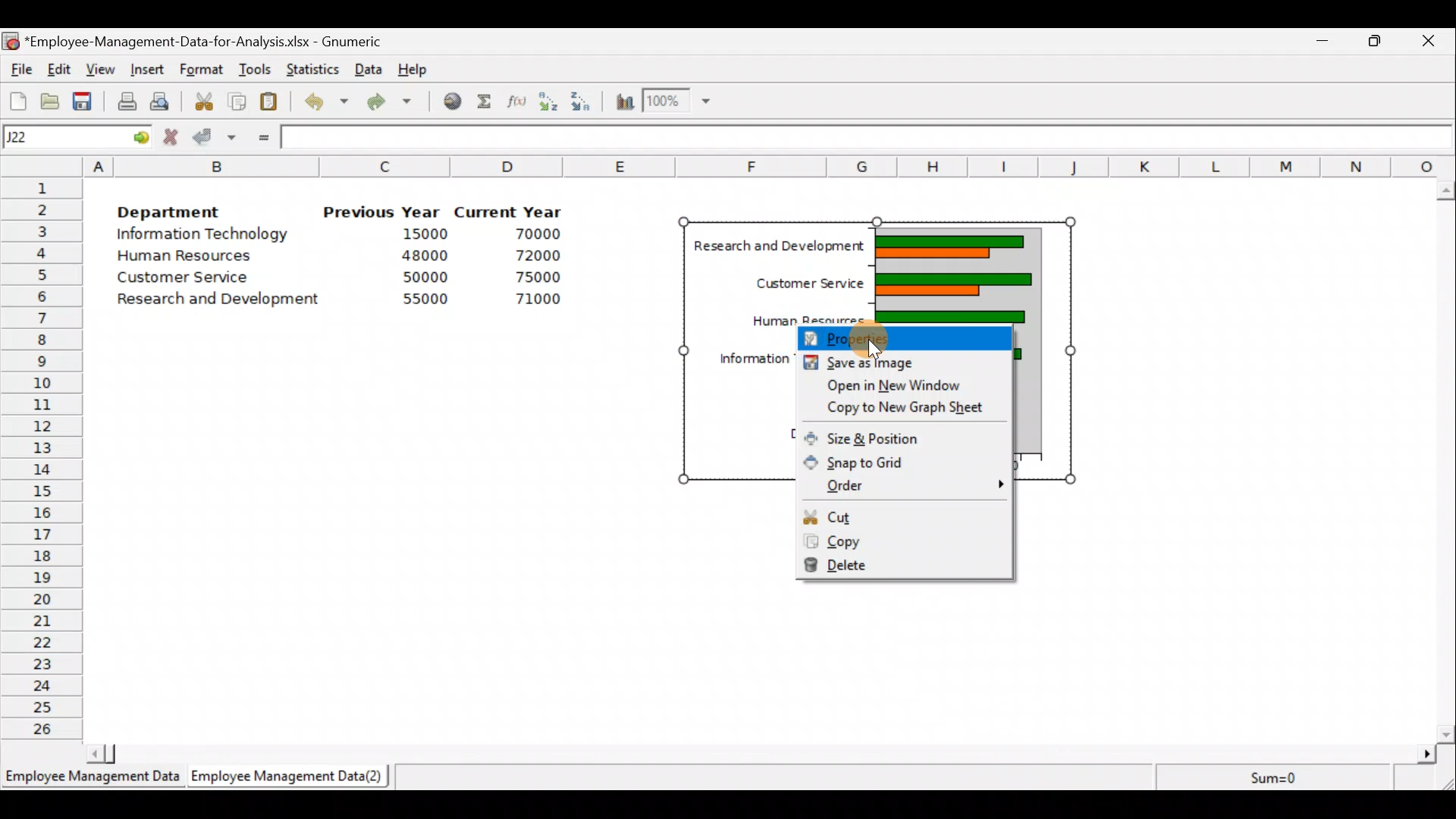  I want to click on go to, so click(140, 137).